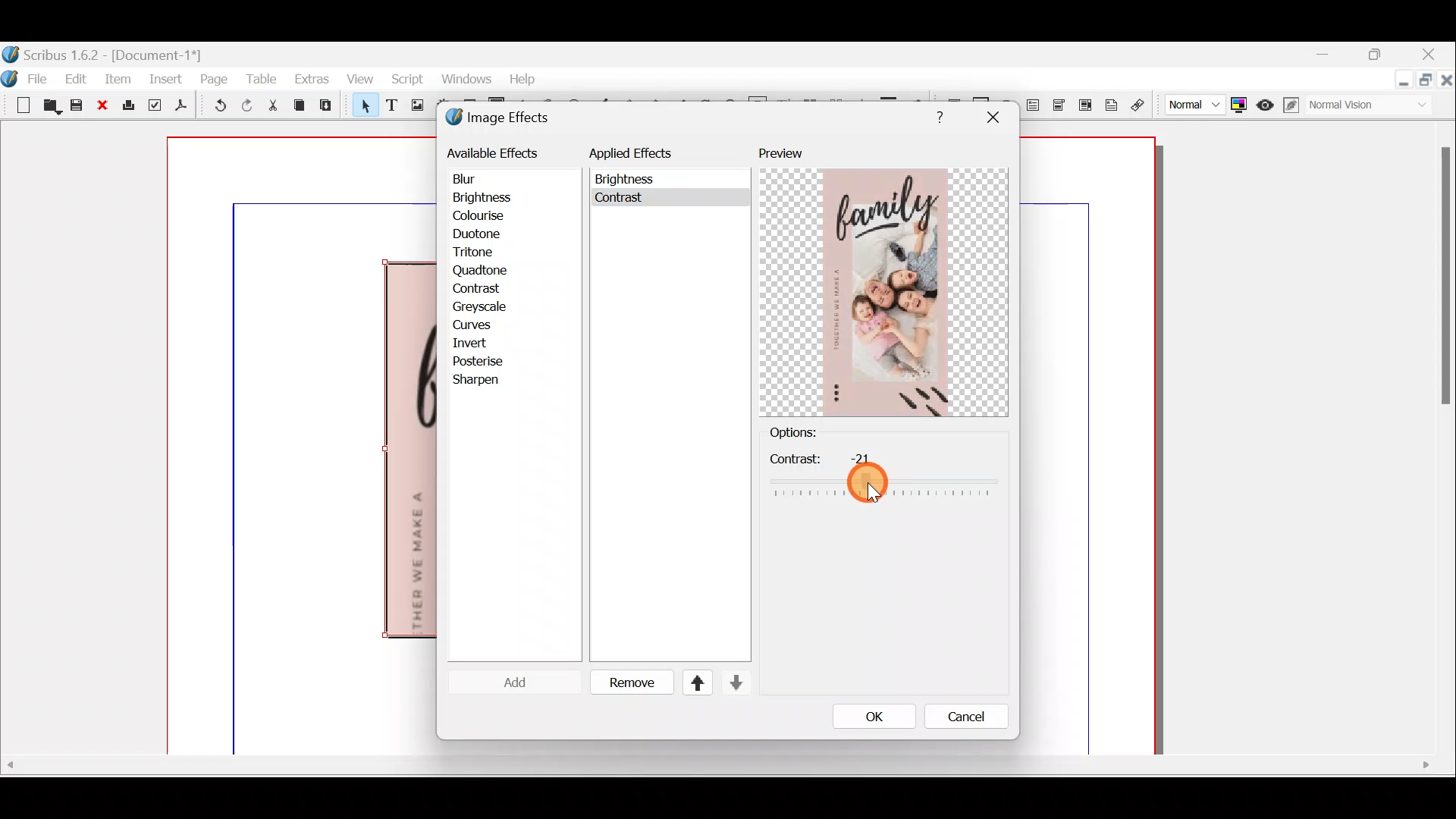 The image size is (1456, 819). What do you see at coordinates (179, 108) in the screenshot?
I see `Save as PDF` at bounding box center [179, 108].